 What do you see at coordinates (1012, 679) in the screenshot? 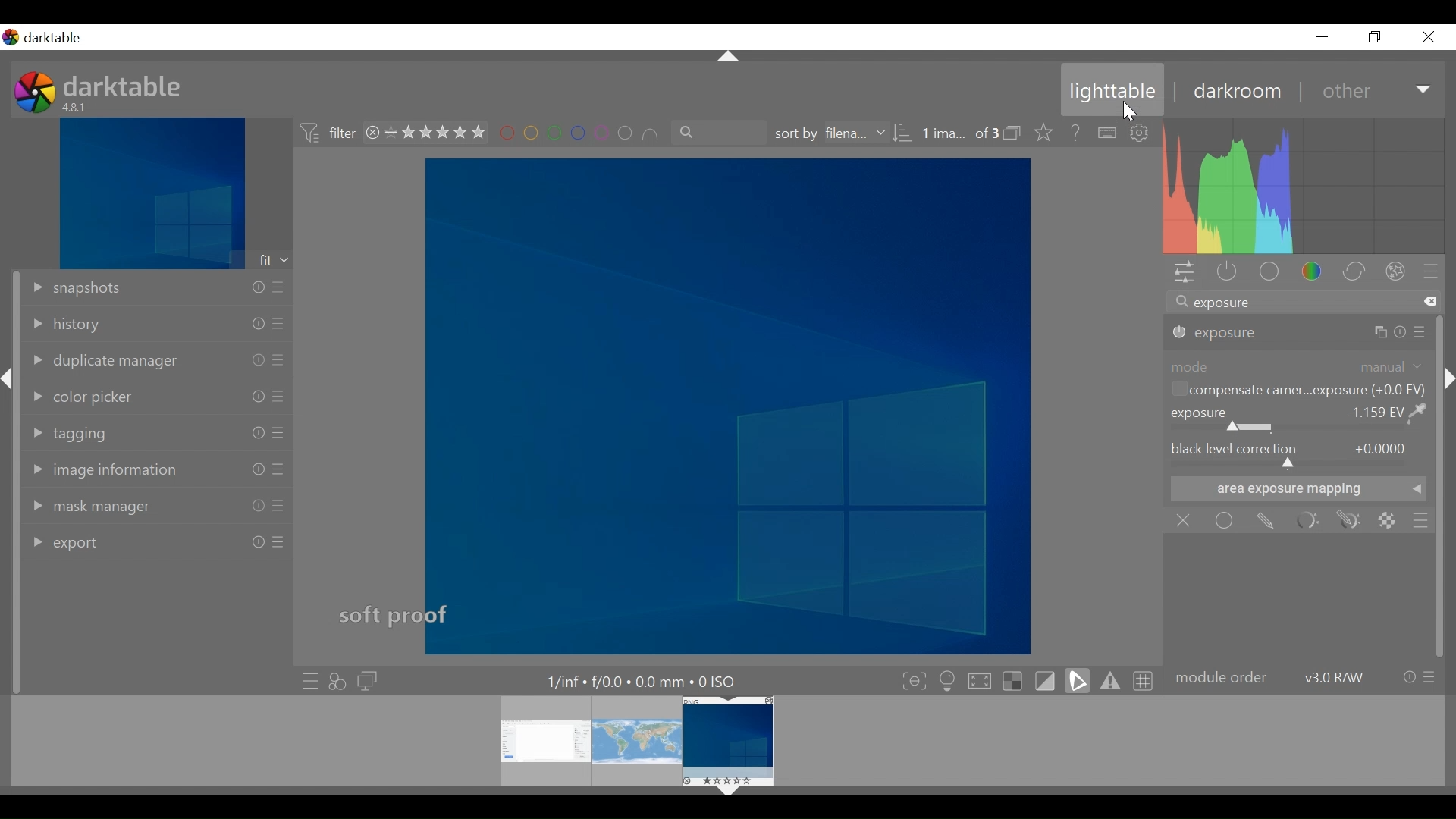
I see `toggle indication of raw overexposure` at bounding box center [1012, 679].